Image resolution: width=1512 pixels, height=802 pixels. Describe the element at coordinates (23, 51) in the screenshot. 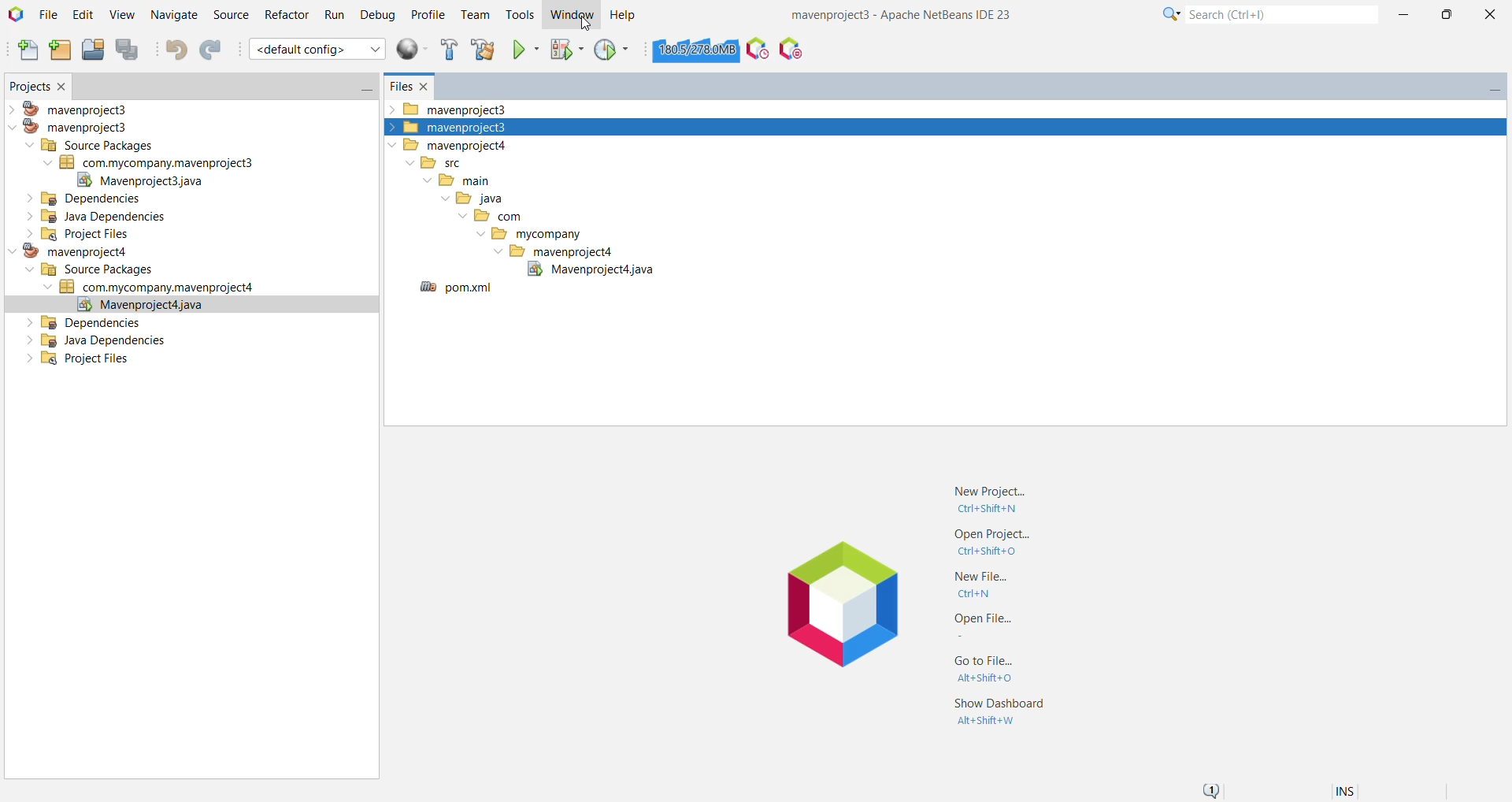

I see `New File` at that location.